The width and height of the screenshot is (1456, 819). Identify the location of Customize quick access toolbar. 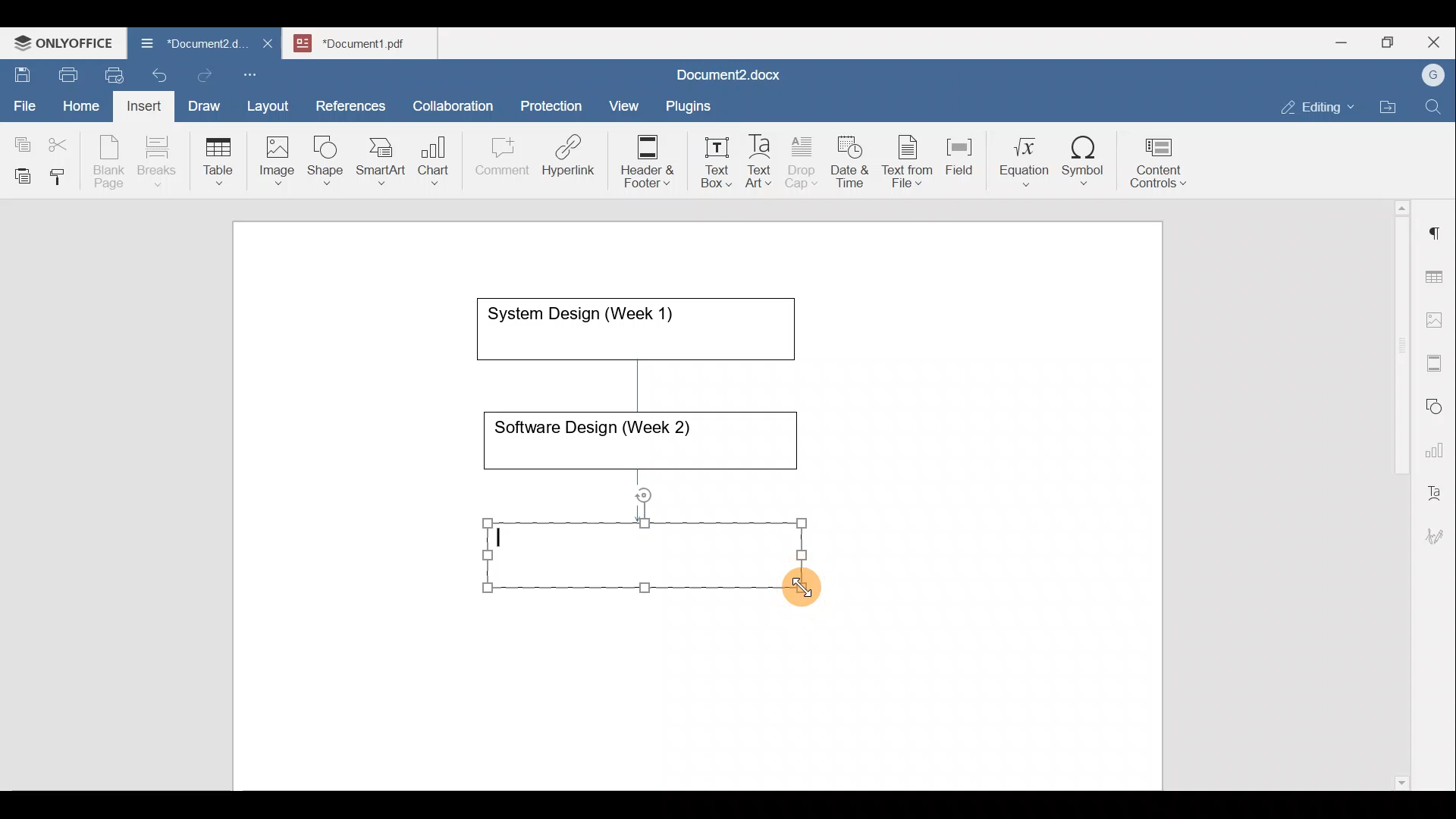
(256, 72).